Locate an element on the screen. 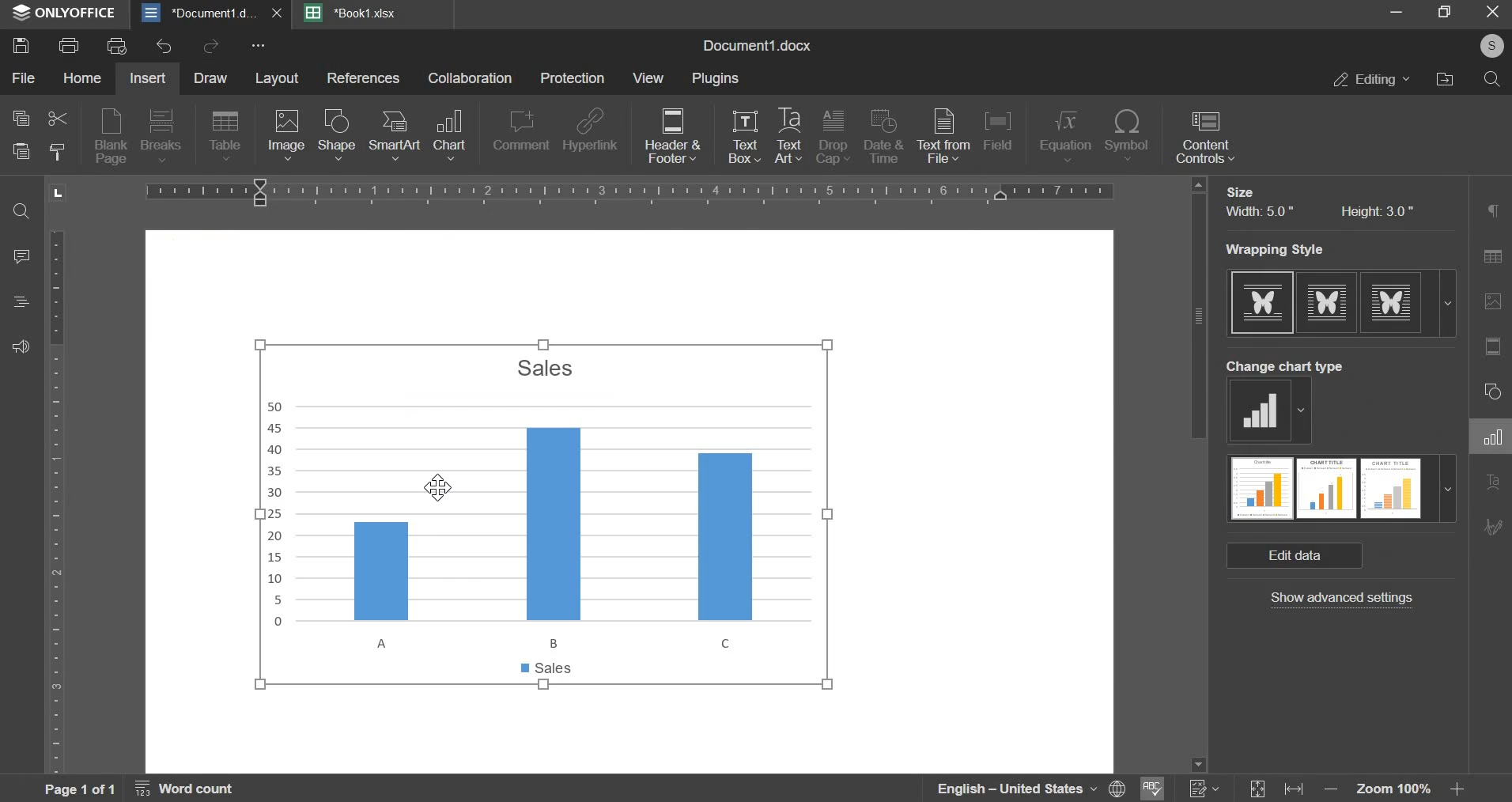  chart is located at coordinates (546, 513).